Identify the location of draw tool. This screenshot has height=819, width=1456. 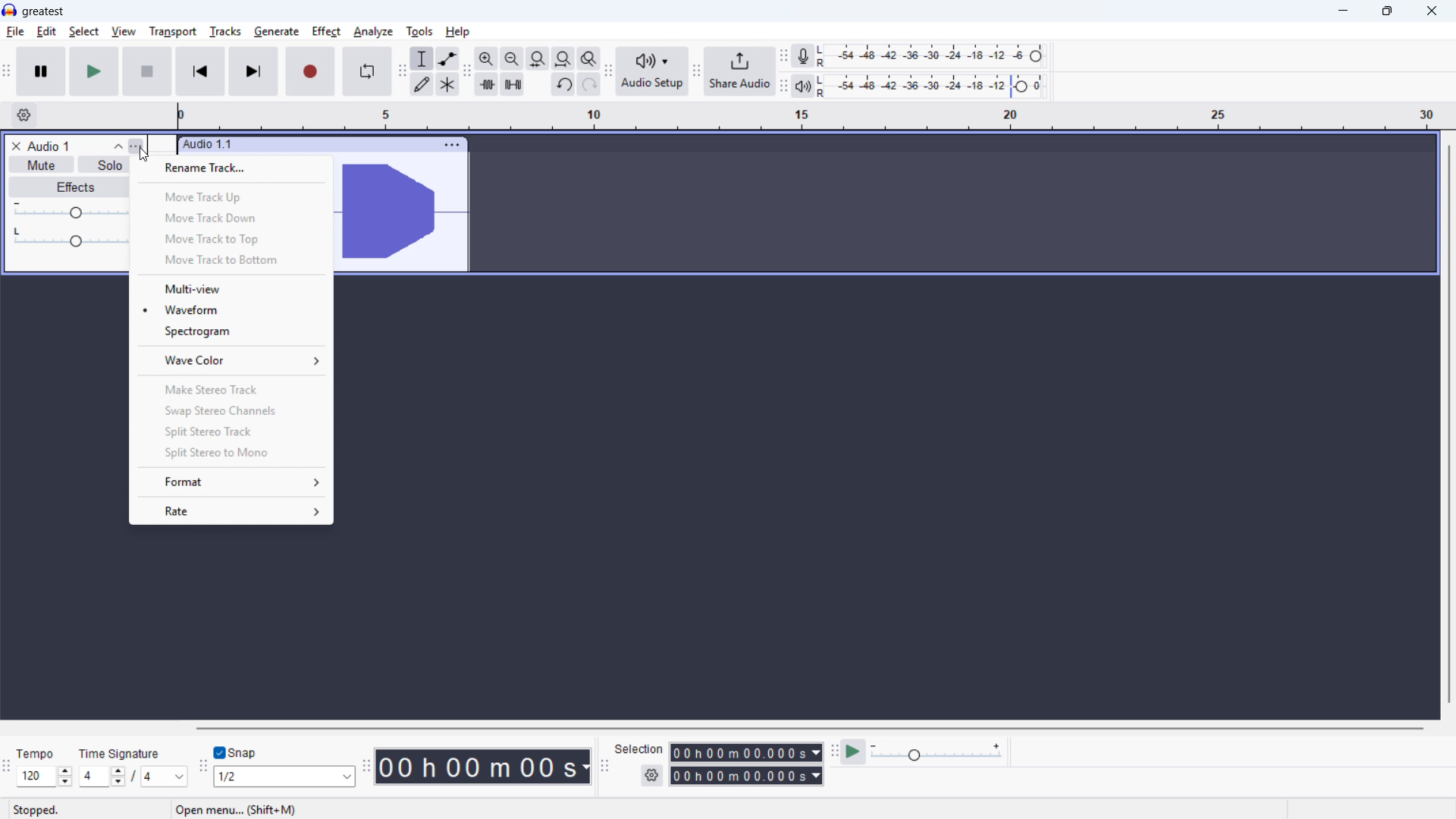
(422, 84).